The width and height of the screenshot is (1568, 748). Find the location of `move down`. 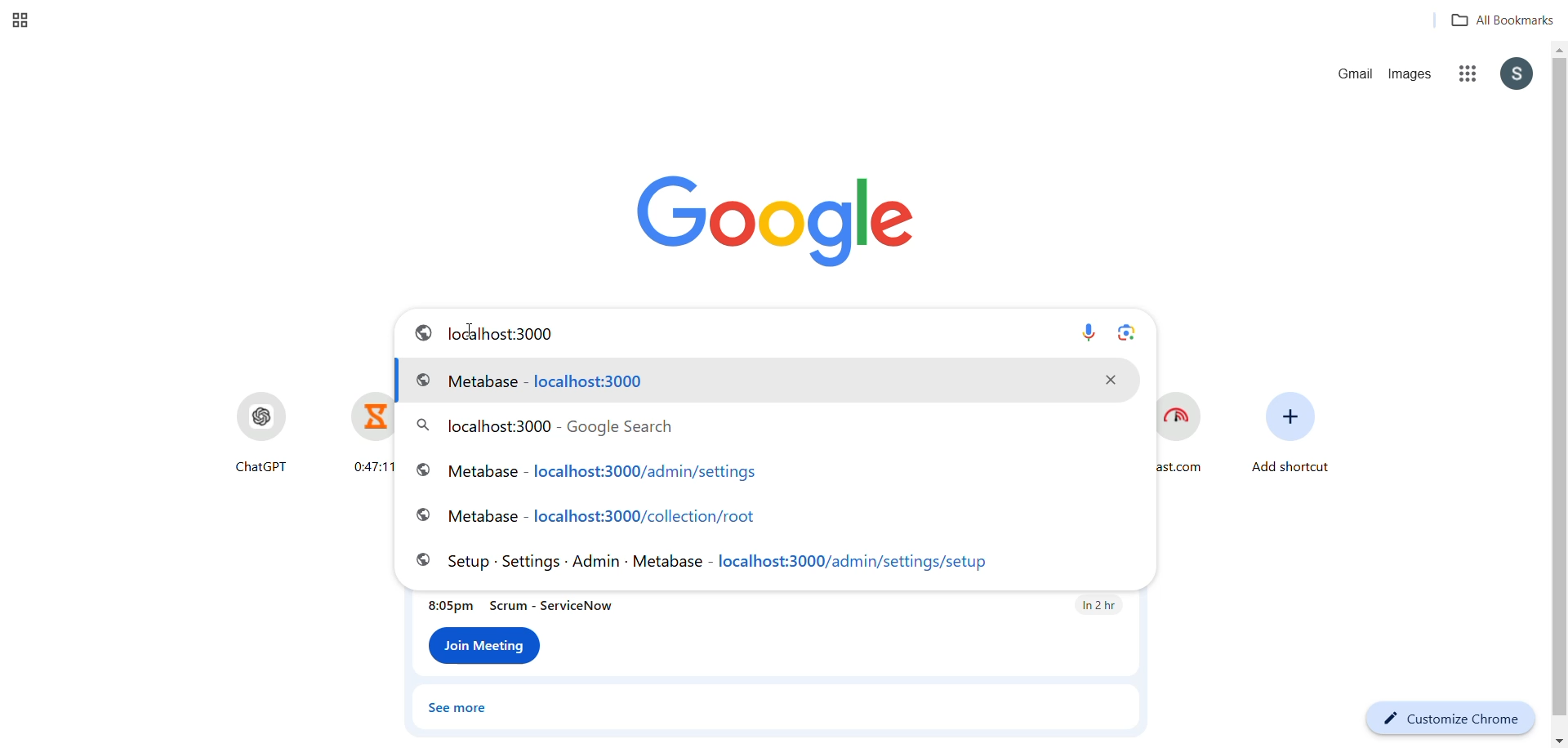

move down is located at coordinates (1557, 740).